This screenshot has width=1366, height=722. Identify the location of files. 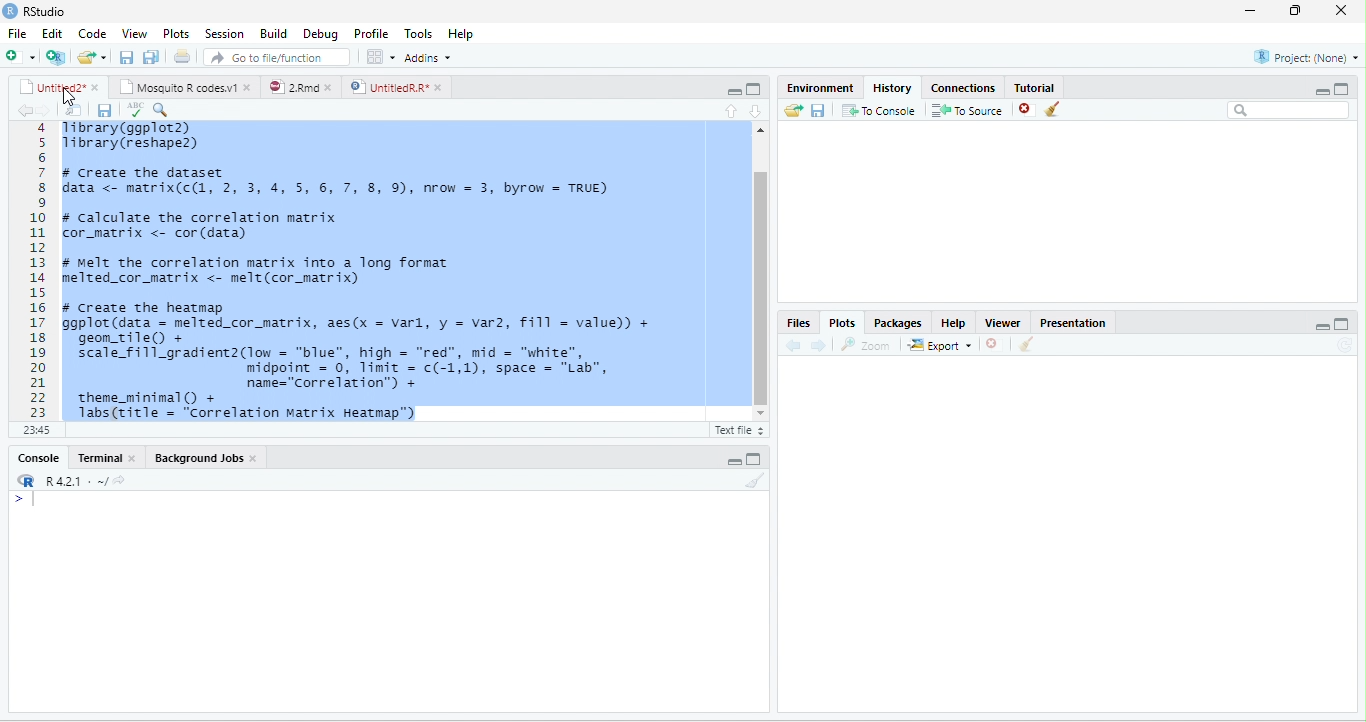
(797, 322).